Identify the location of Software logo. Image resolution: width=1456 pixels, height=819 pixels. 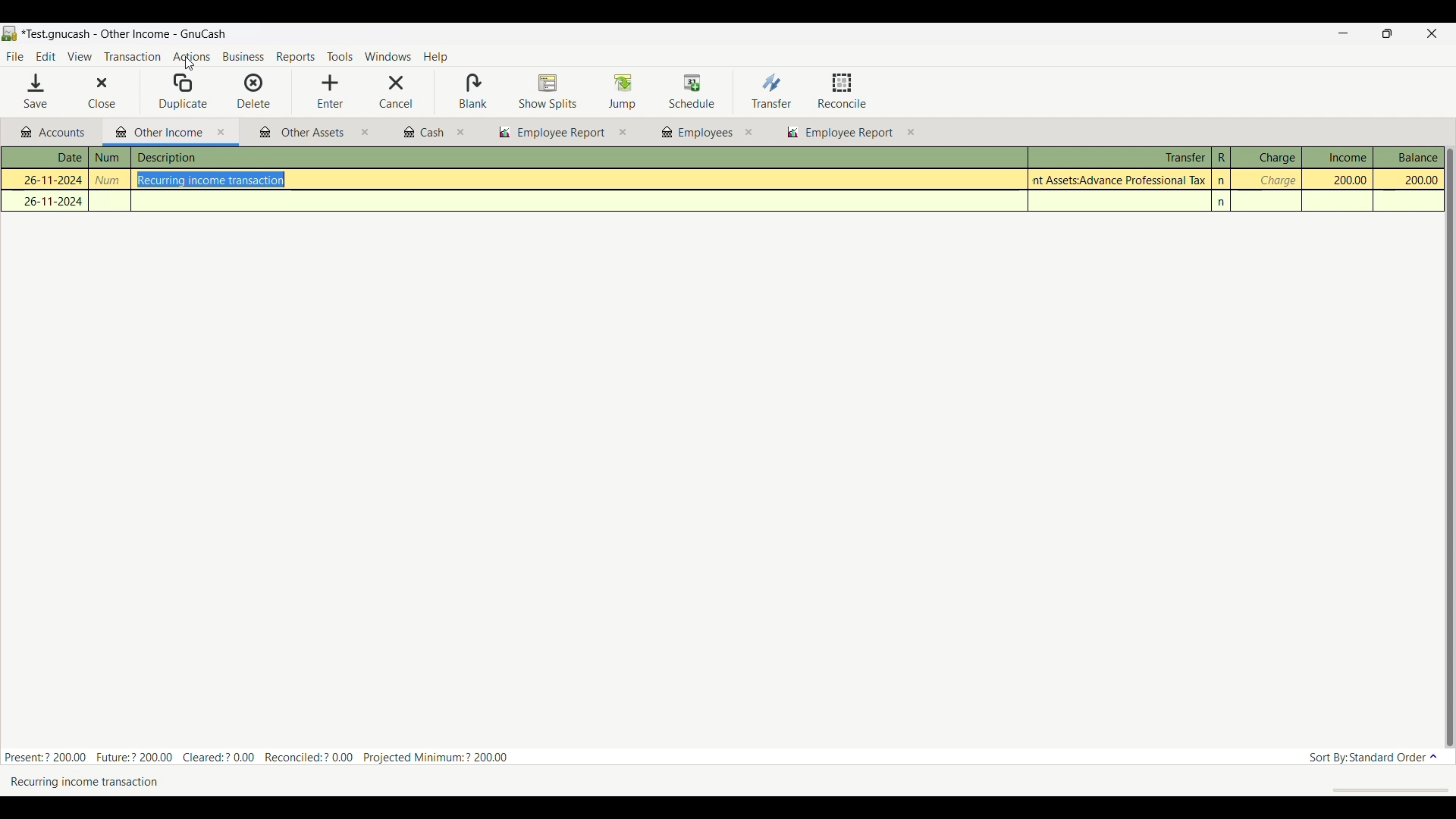
(10, 33).